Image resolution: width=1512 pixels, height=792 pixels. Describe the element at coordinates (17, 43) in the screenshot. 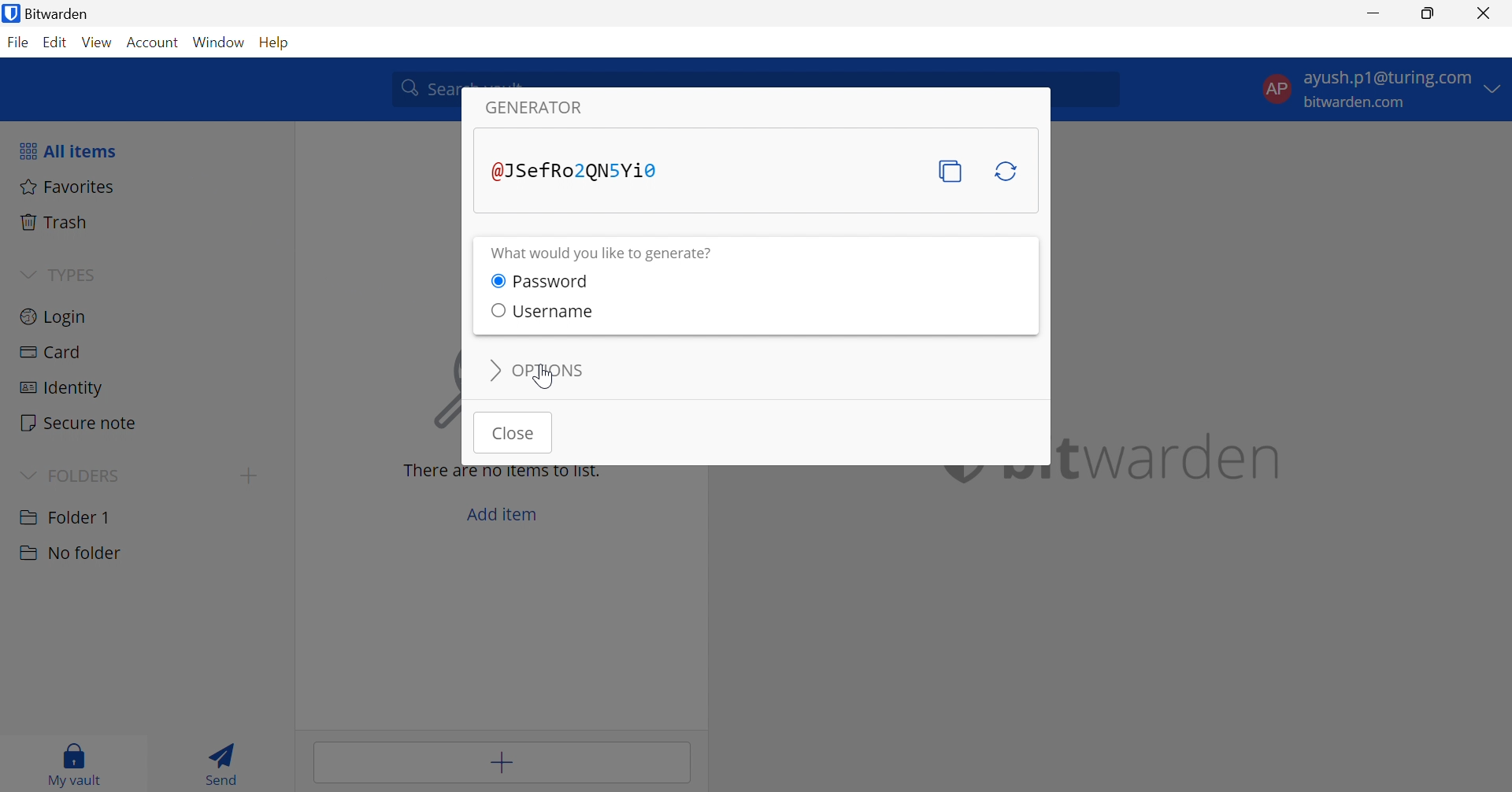

I see `File` at that location.